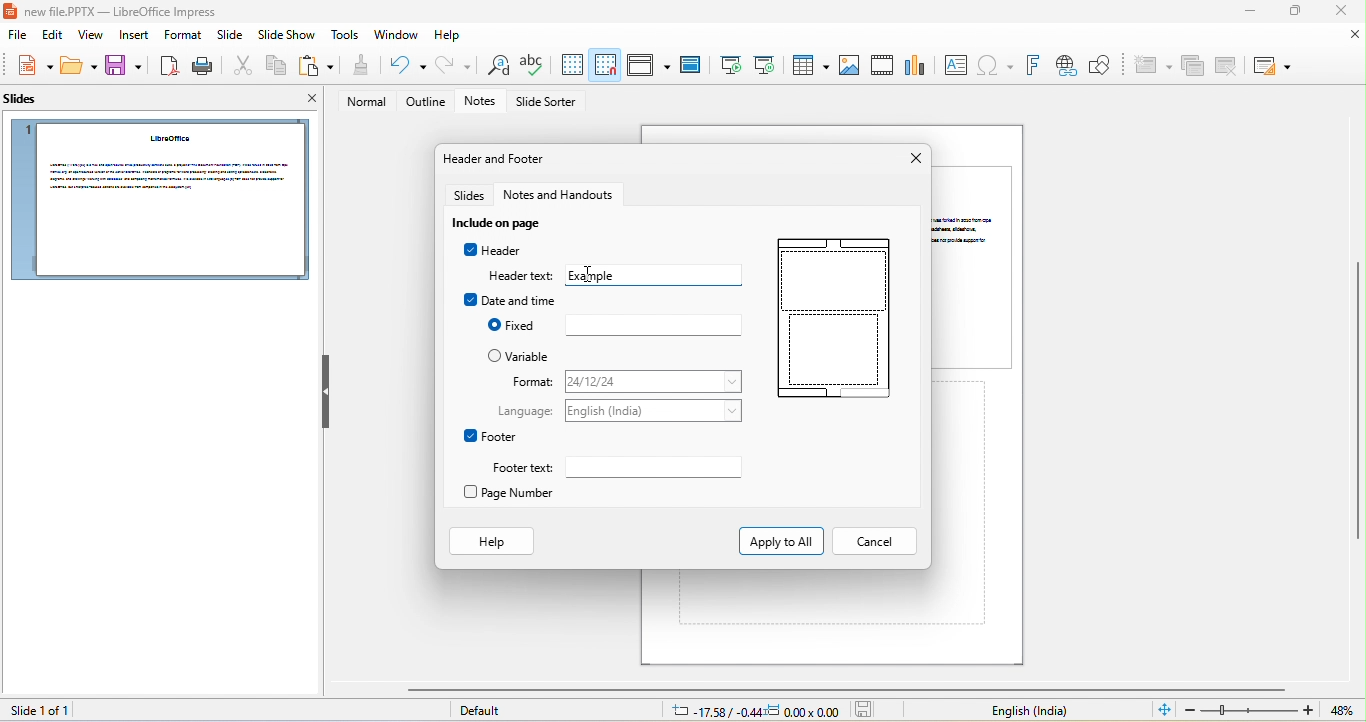 Image resolution: width=1366 pixels, height=722 pixels. I want to click on spelling, so click(532, 66).